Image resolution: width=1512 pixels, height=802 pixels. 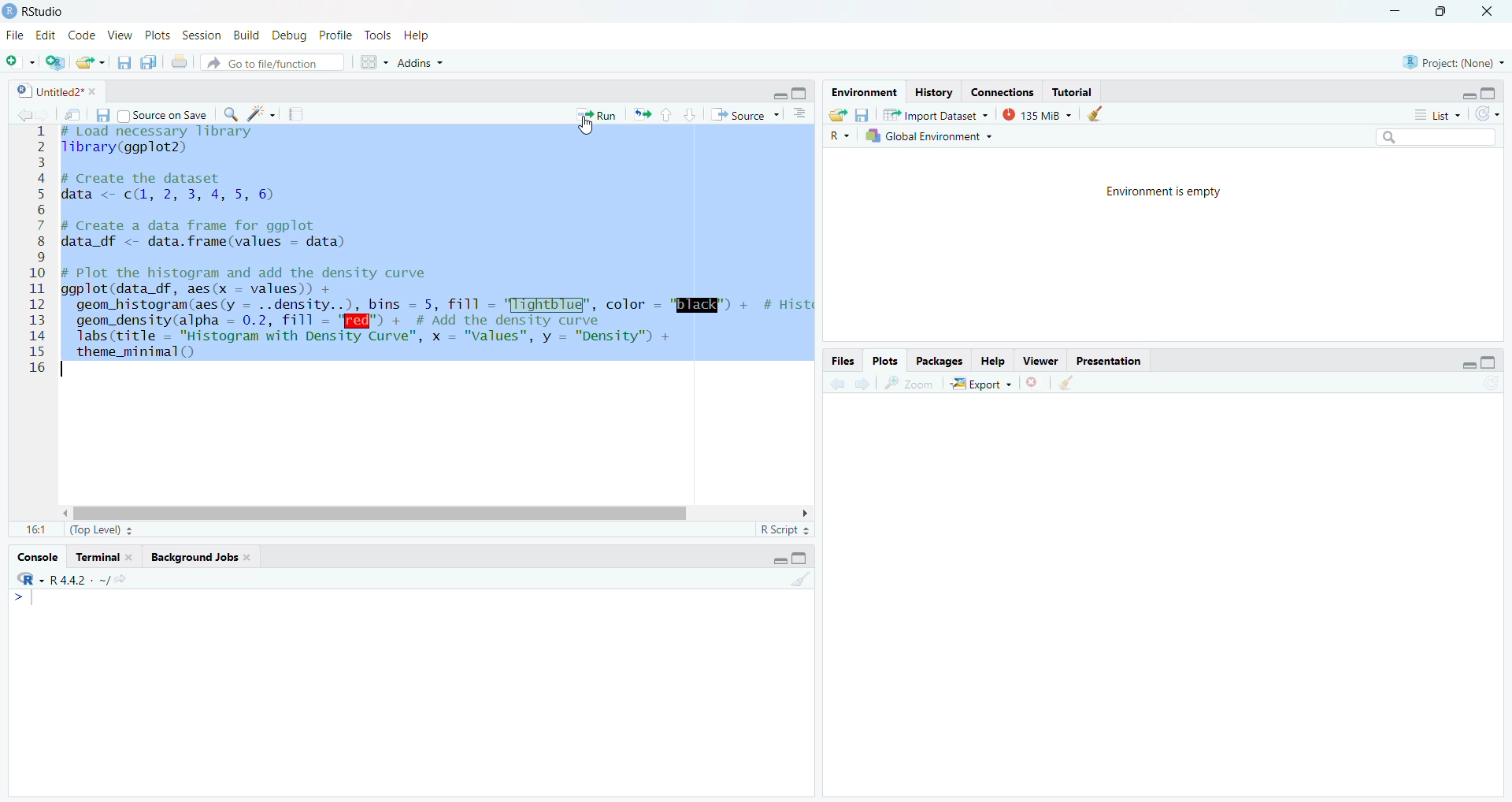 What do you see at coordinates (146, 62) in the screenshot?
I see `save all open documents` at bounding box center [146, 62].